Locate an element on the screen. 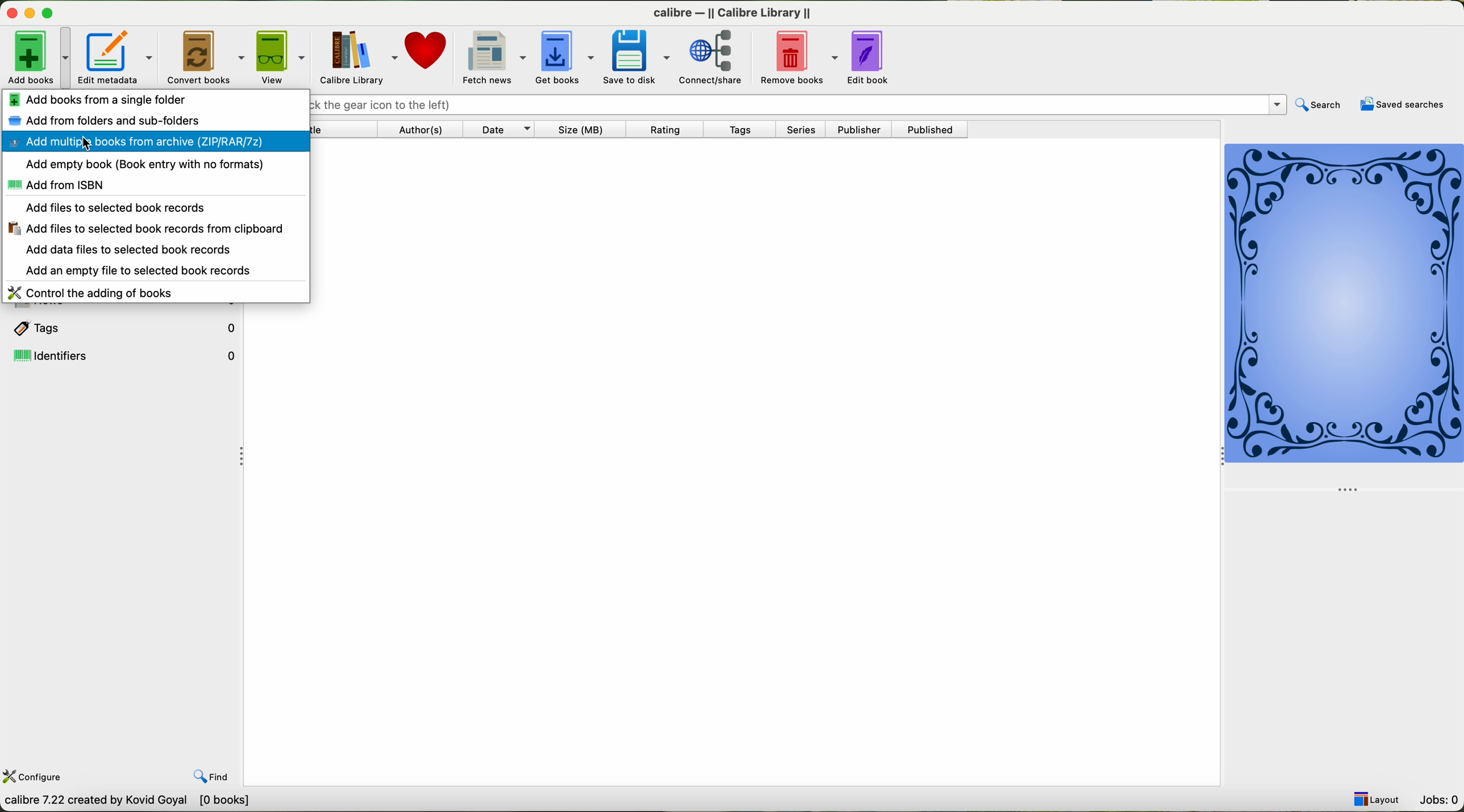 The image size is (1464, 812). saved searches is located at coordinates (1403, 106).